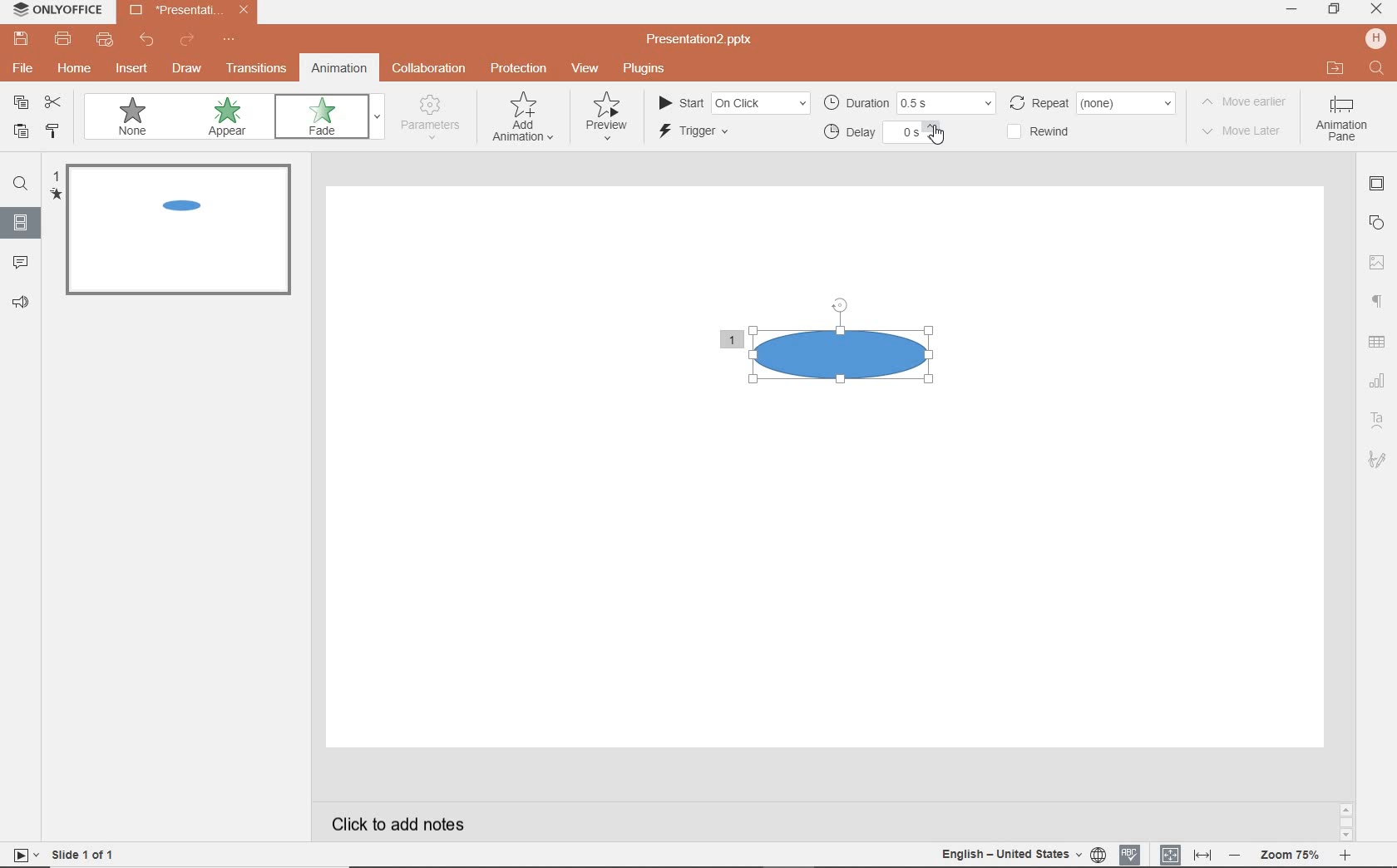  What do you see at coordinates (1186, 855) in the screenshot?
I see `FIT TO SLIDE / FIT TO WIDTH` at bounding box center [1186, 855].